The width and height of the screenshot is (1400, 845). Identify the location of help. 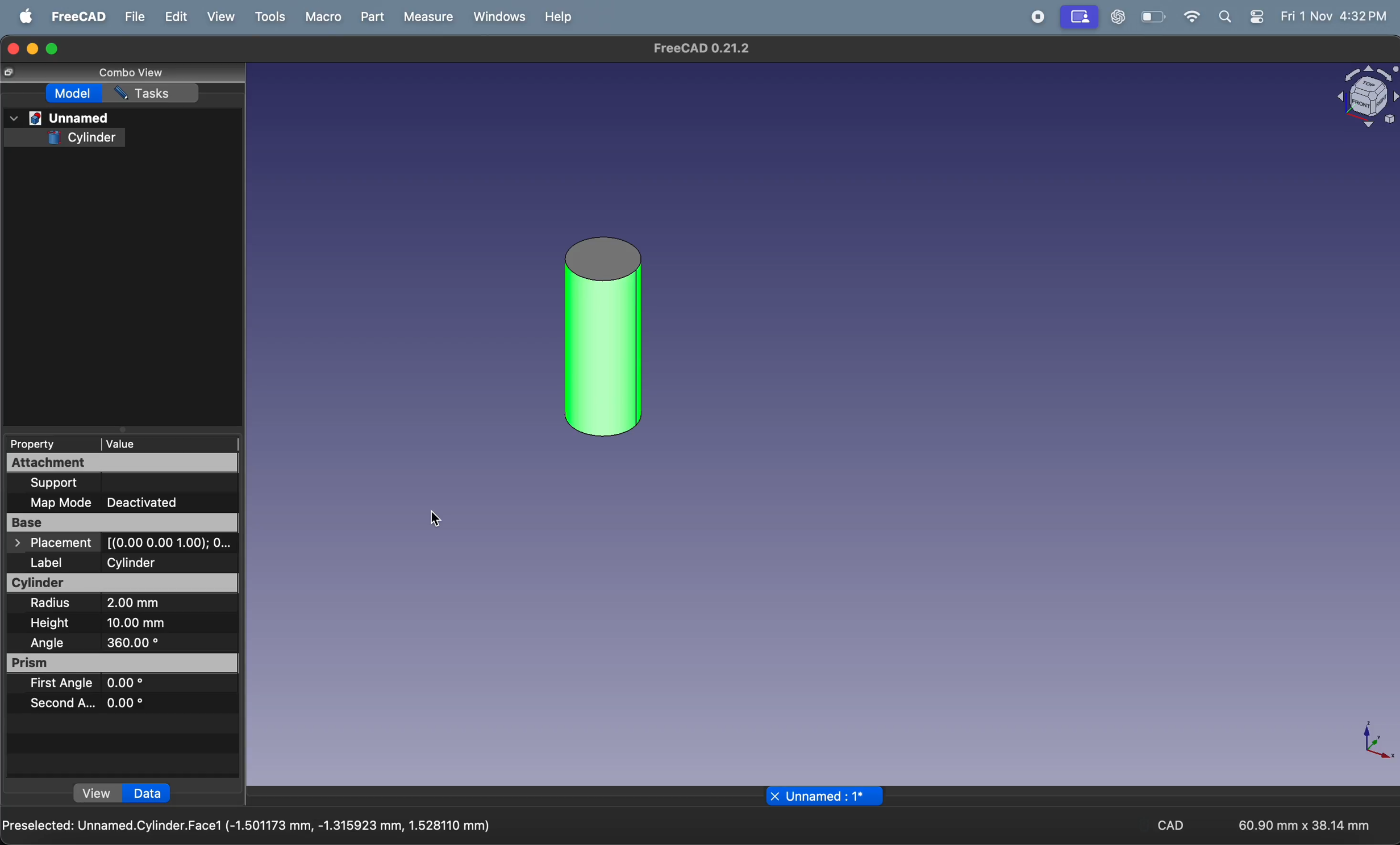
(556, 20).